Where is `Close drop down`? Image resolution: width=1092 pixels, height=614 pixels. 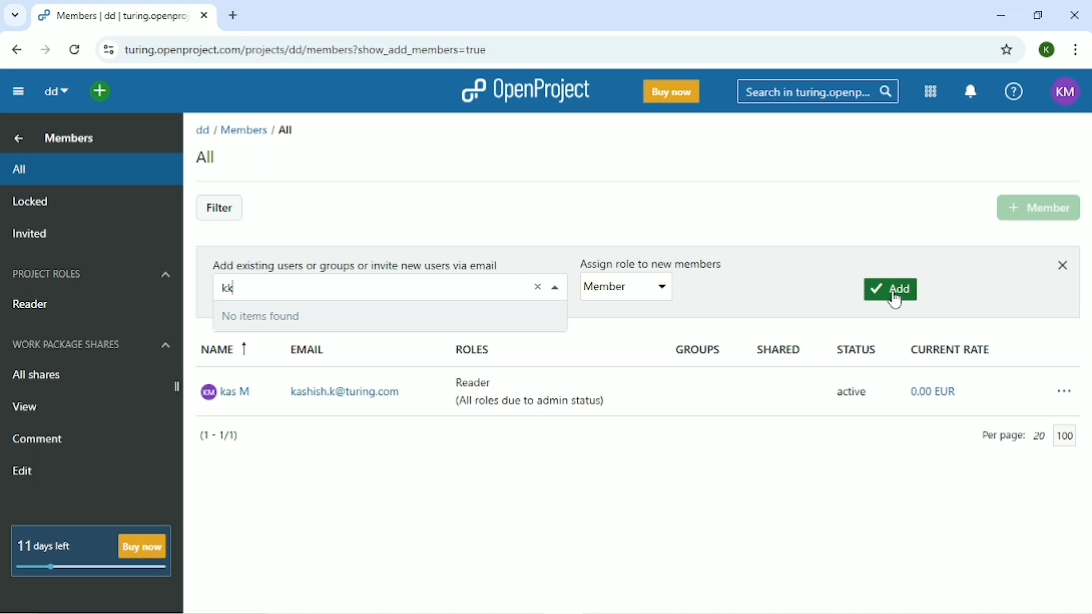
Close drop down is located at coordinates (559, 289).